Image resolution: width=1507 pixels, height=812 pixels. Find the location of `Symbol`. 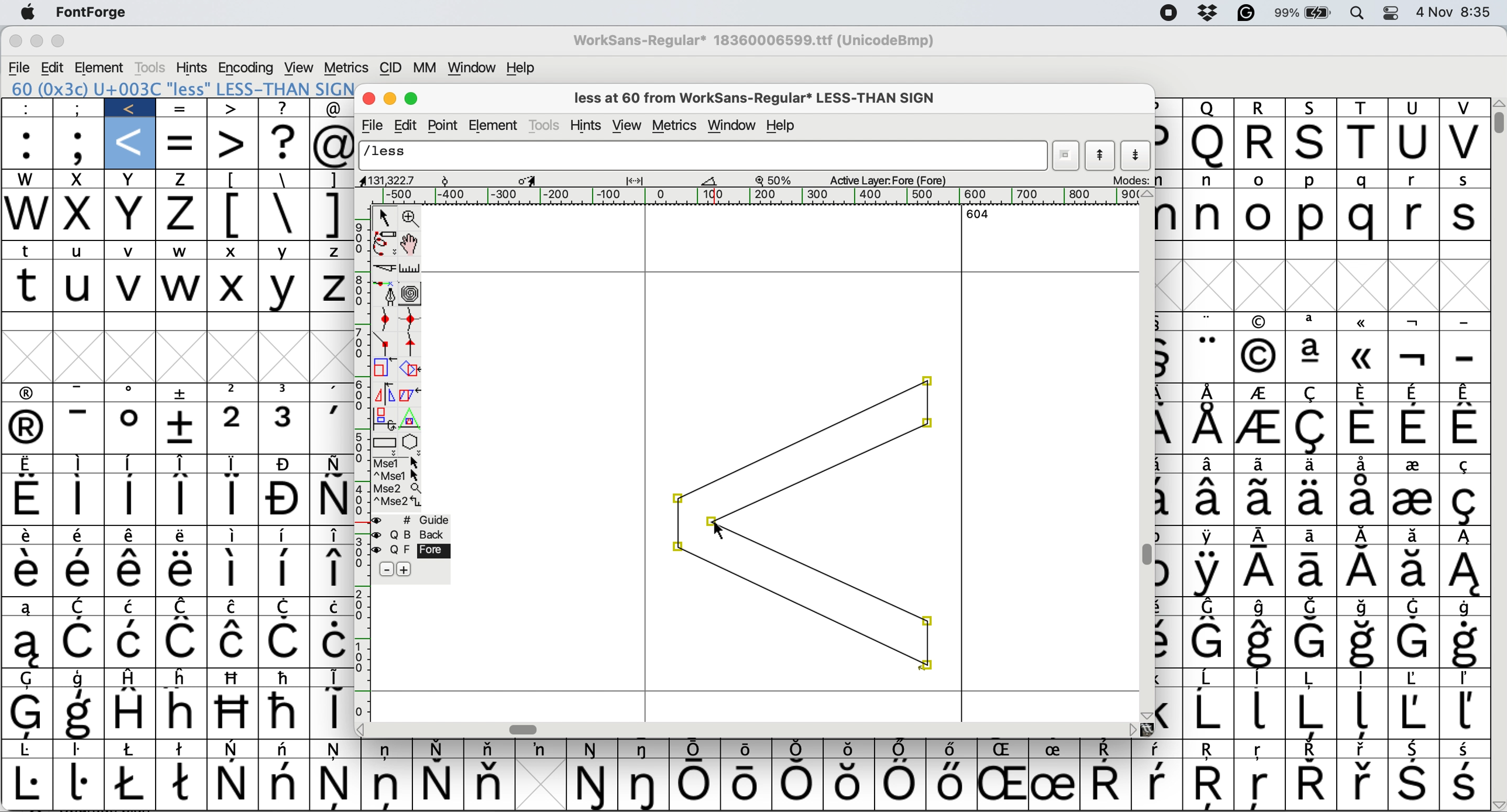

Symbol is located at coordinates (902, 749).